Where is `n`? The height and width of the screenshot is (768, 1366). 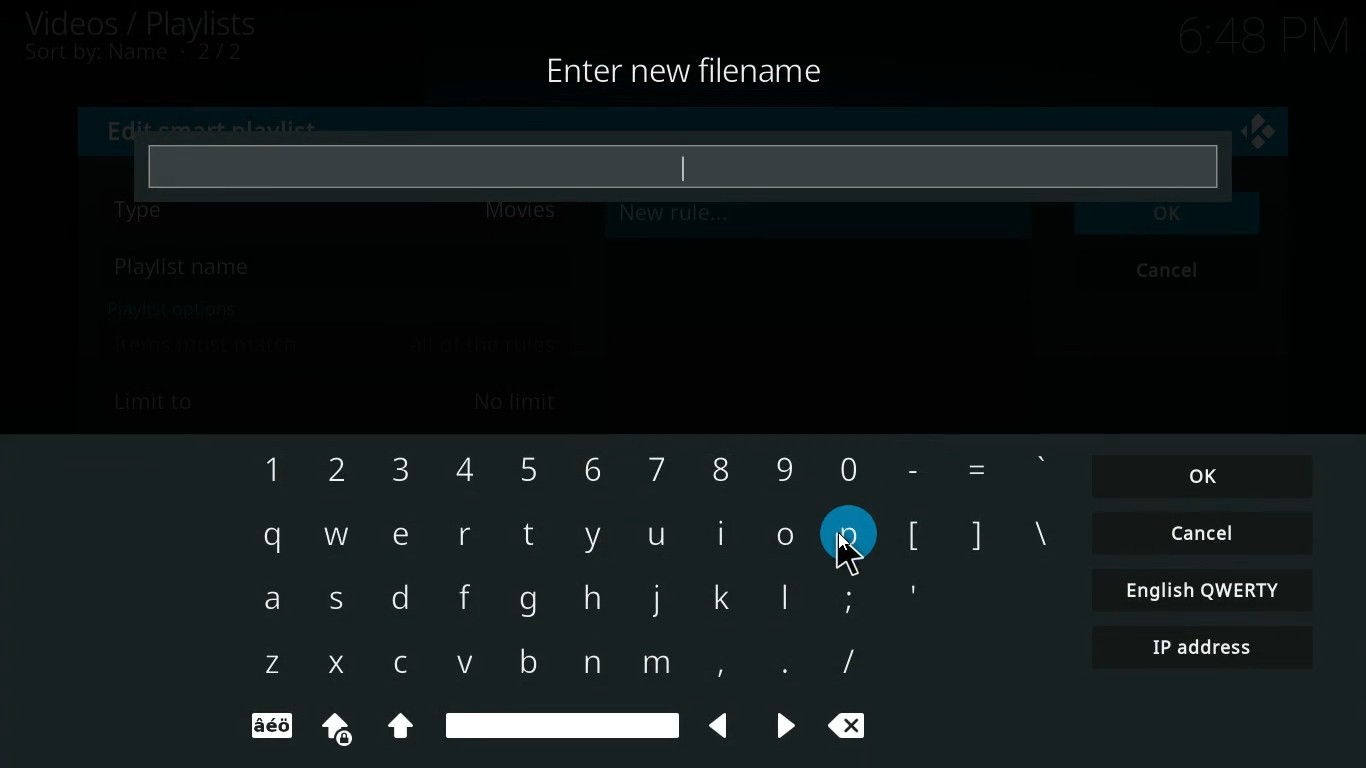 n is located at coordinates (590, 664).